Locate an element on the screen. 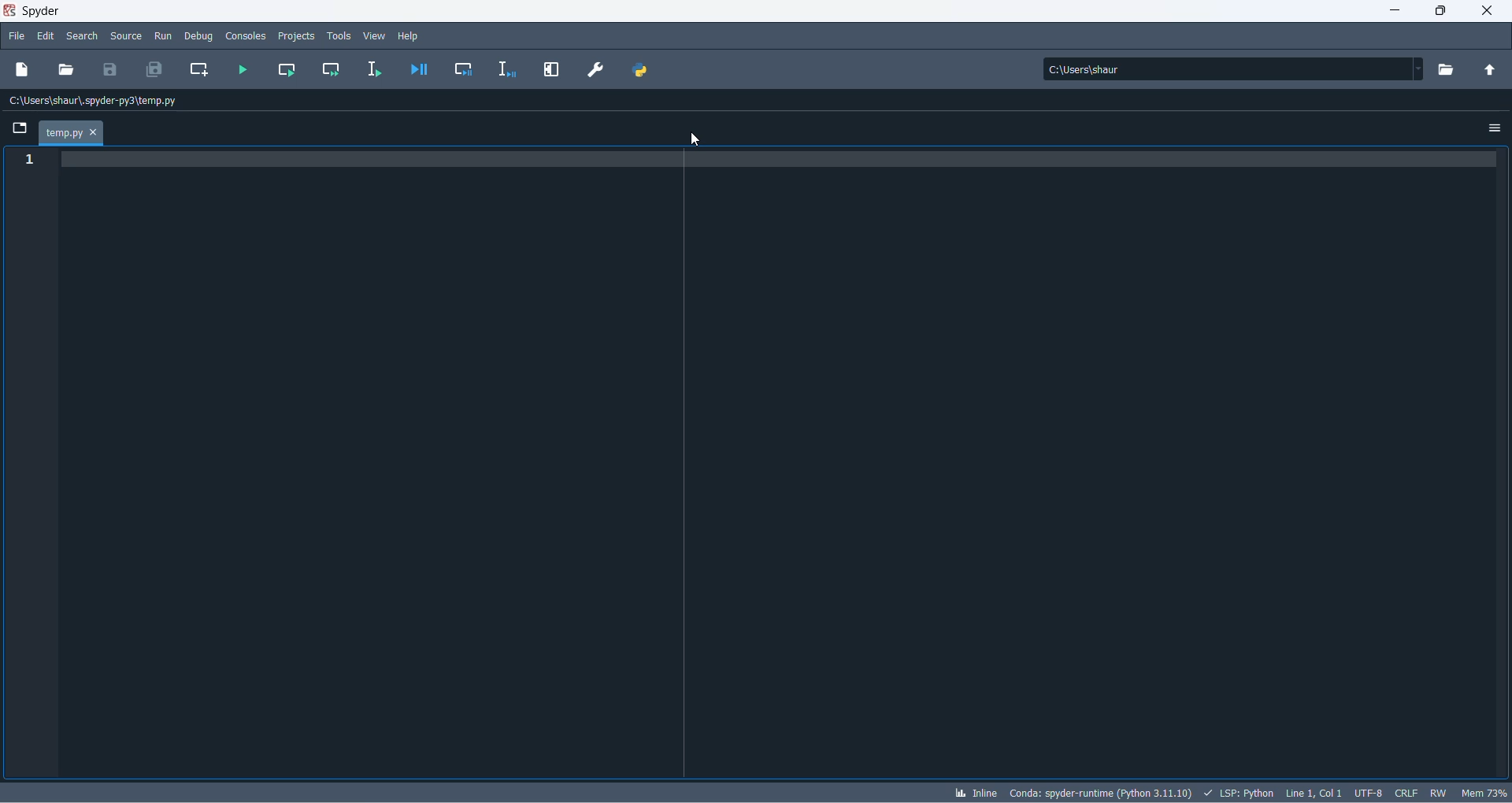  debug is located at coordinates (202, 36).